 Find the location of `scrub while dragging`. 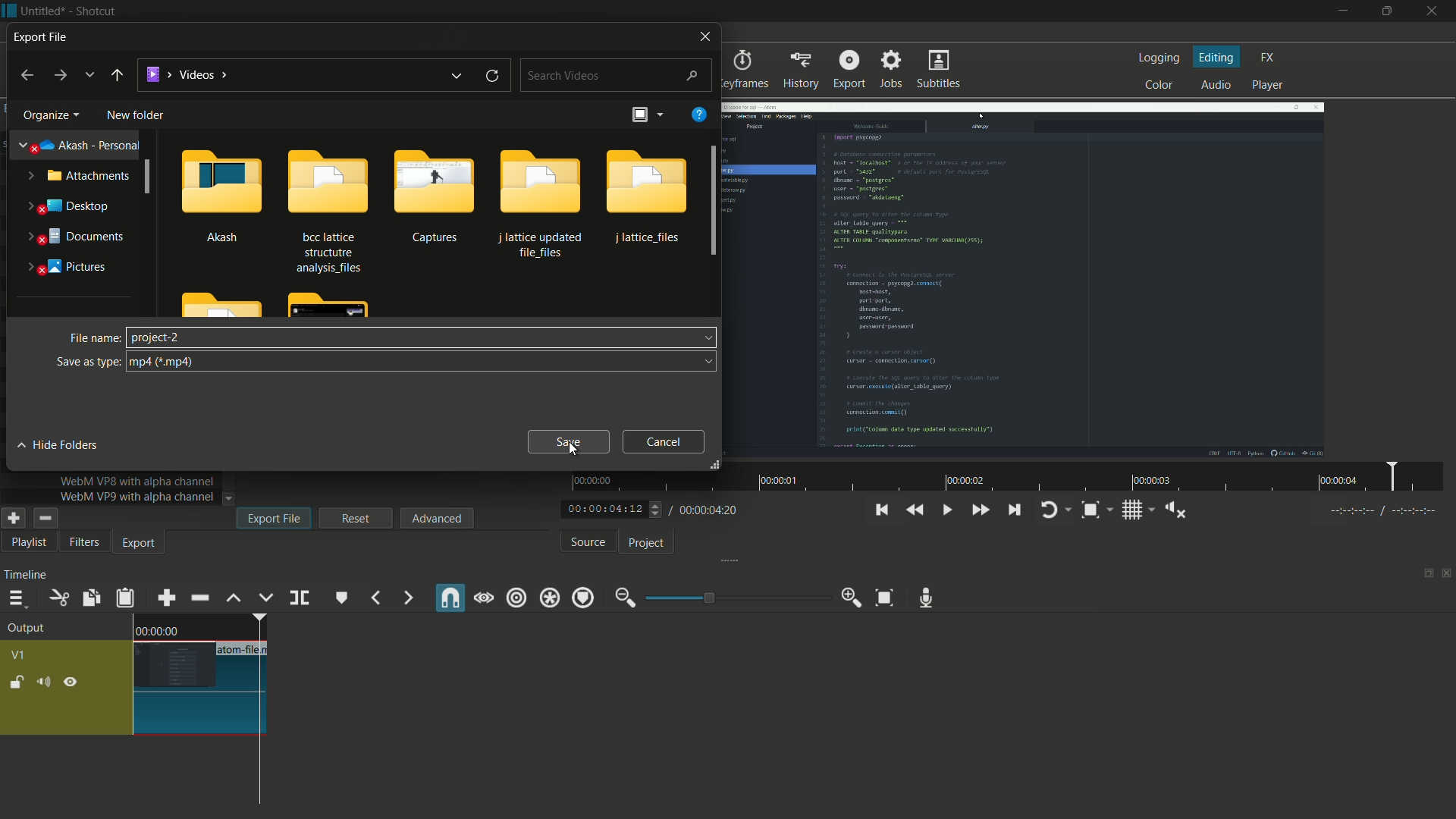

scrub while dragging is located at coordinates (485, 599).